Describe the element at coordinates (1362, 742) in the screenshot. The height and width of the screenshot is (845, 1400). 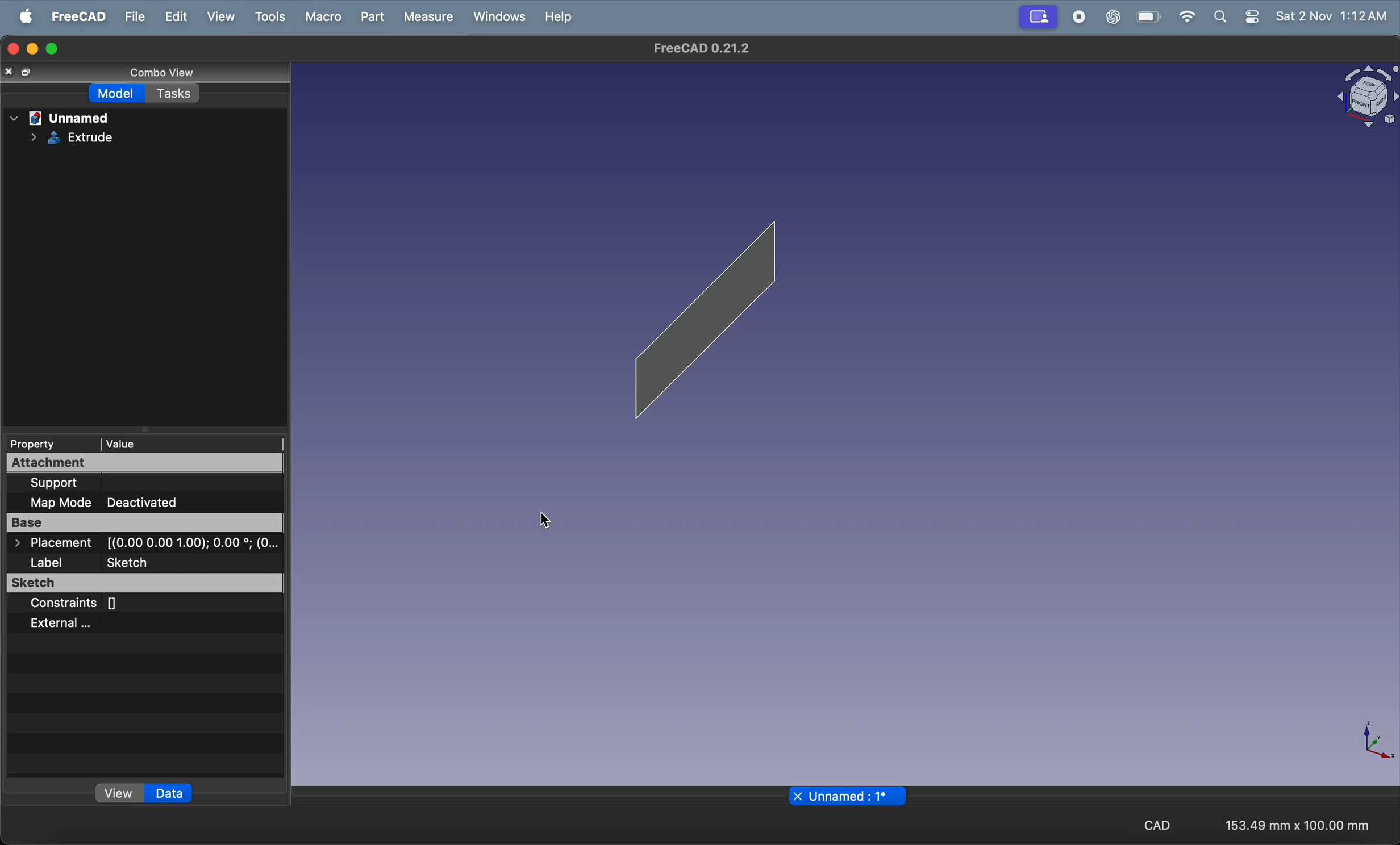
I see `axis` at that location.